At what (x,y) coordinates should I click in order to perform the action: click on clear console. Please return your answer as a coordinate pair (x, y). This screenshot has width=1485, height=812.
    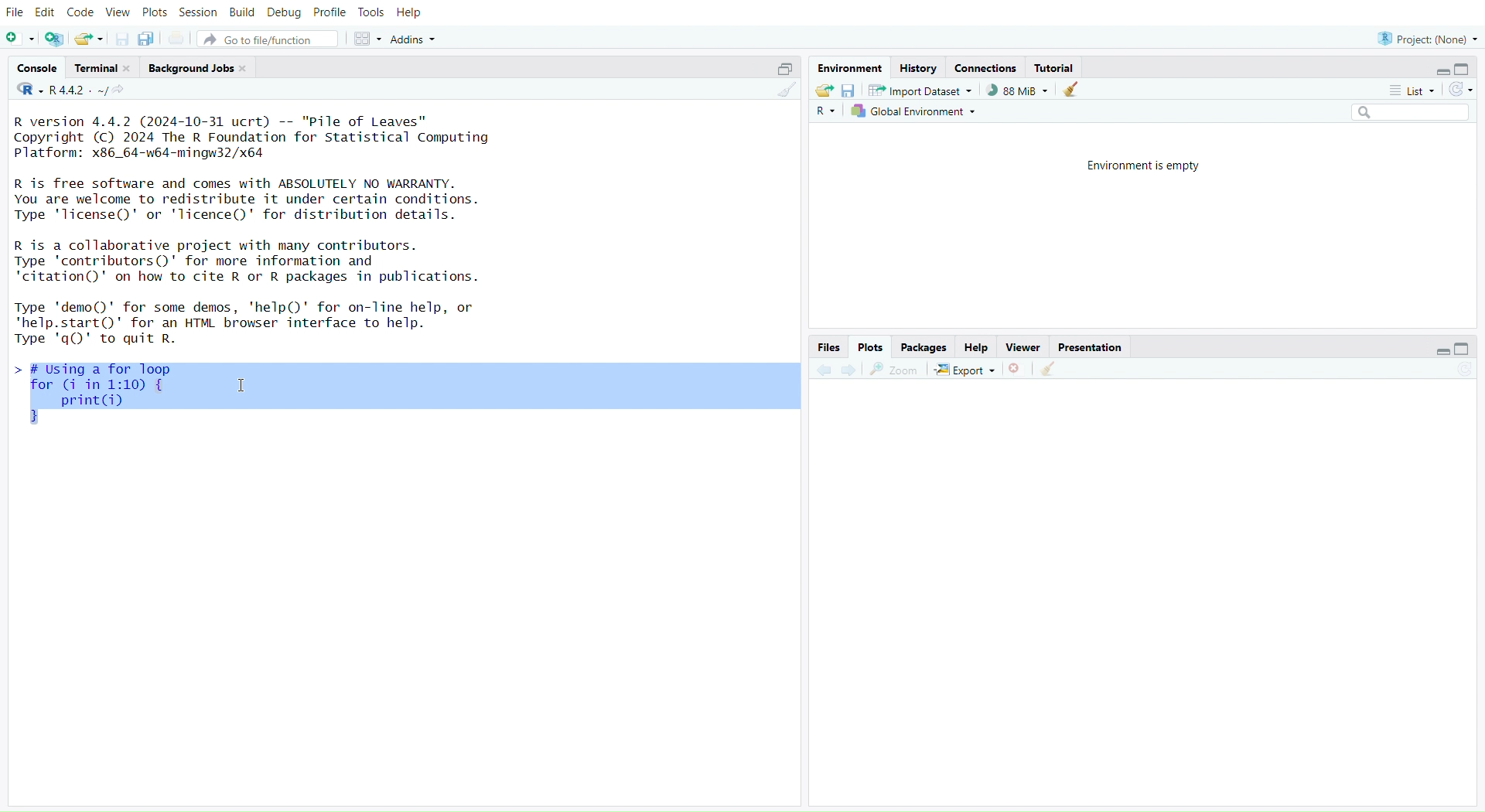
    Looking at the image, I should click on (783, 91).